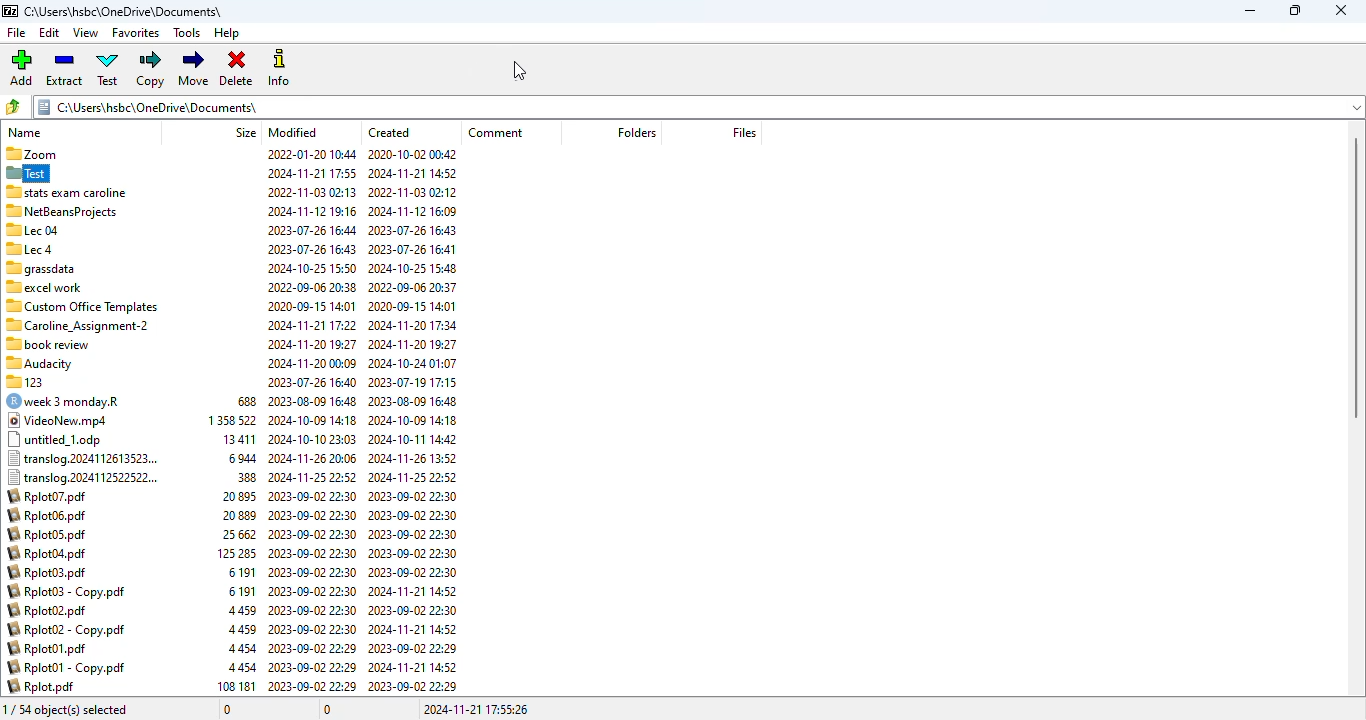 The width and height of the screenshot is (1366, 720). I want to click on 13 411, so click(238, 439).